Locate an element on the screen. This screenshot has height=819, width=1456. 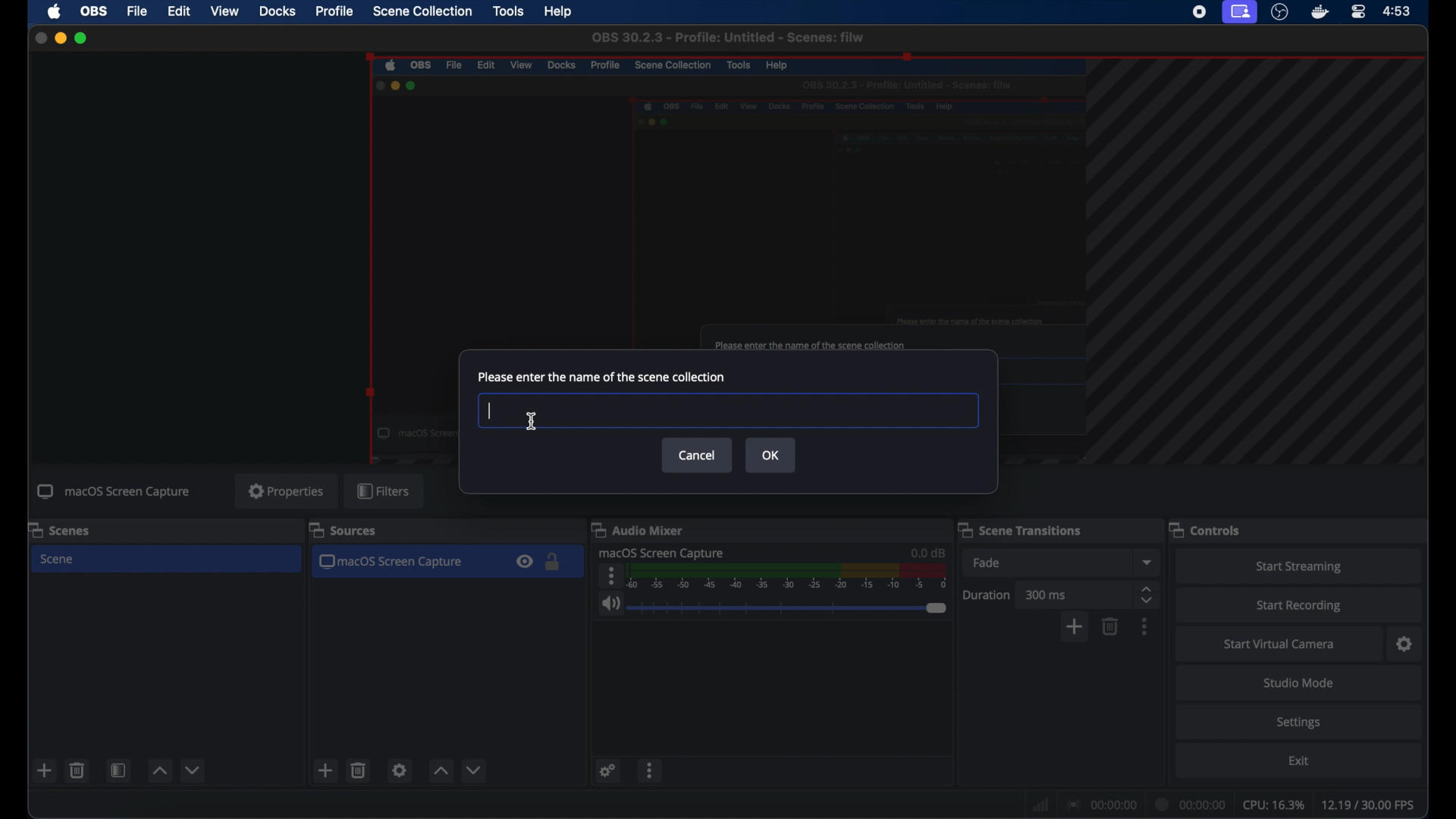
please enter the name of the scene collection is located at coordinates (602, 377).